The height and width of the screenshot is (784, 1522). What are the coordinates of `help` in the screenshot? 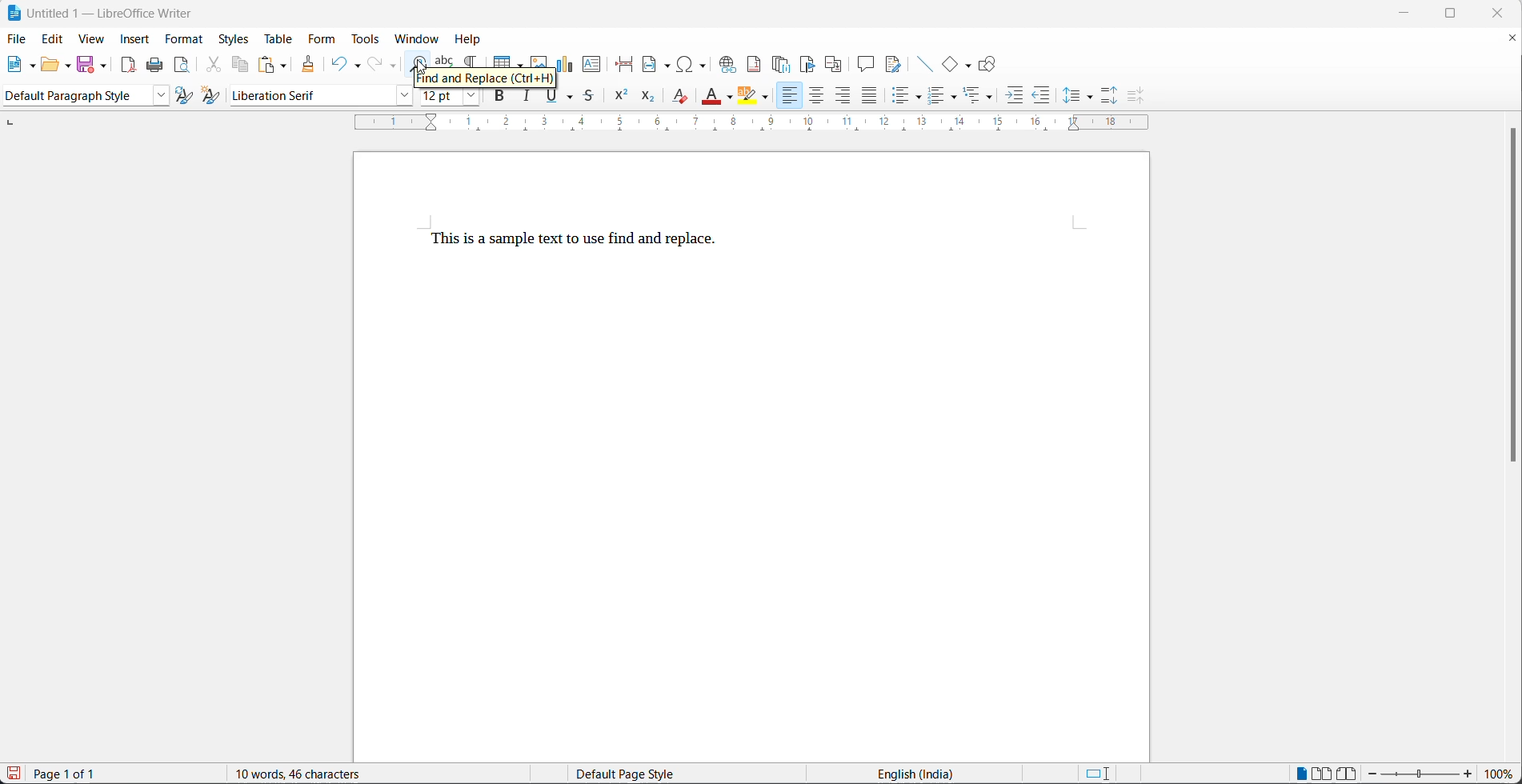 It's located at (473, 38).